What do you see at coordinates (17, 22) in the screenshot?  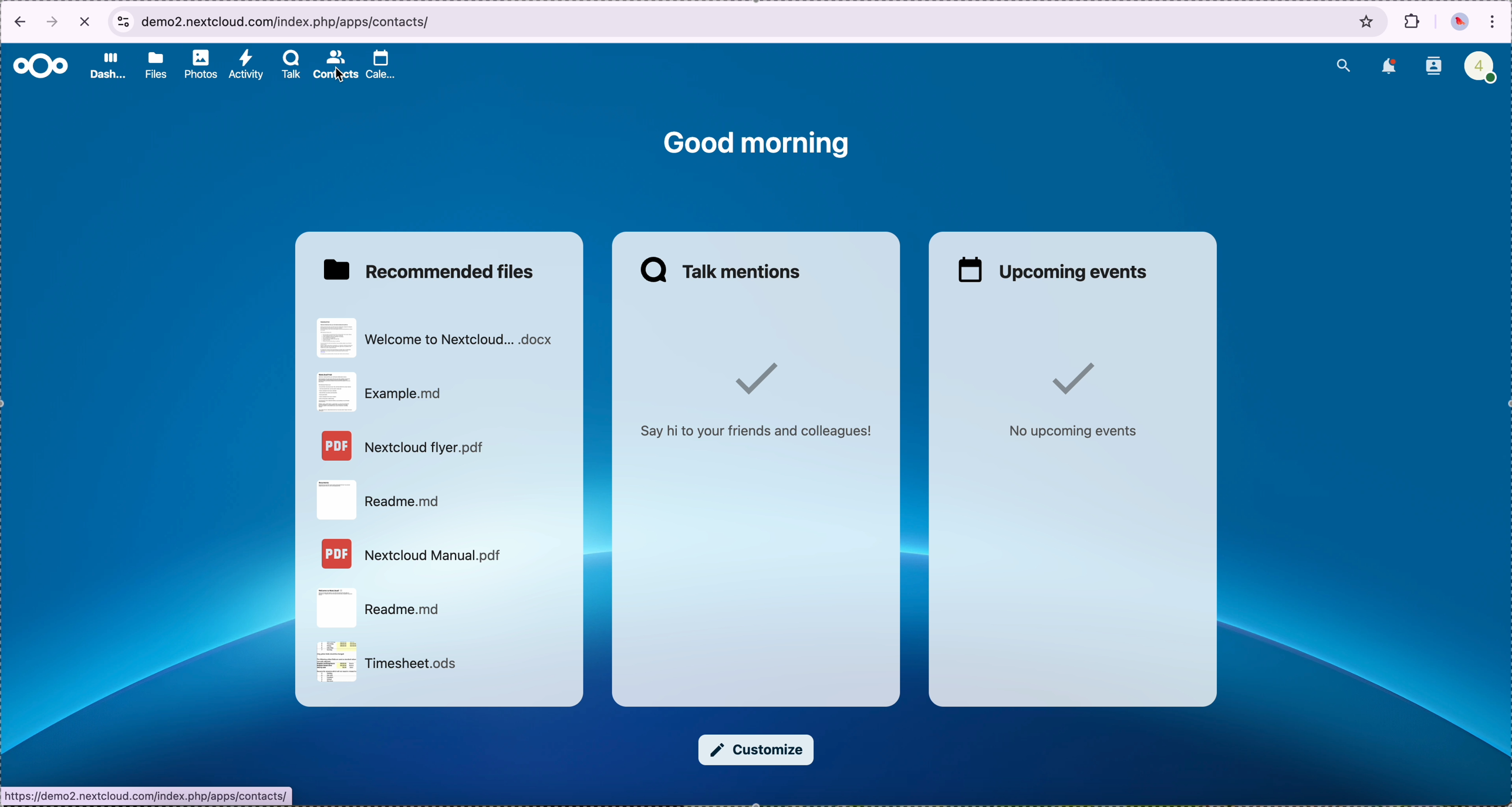 I see `navigate back` at bounding box center [17, 22].